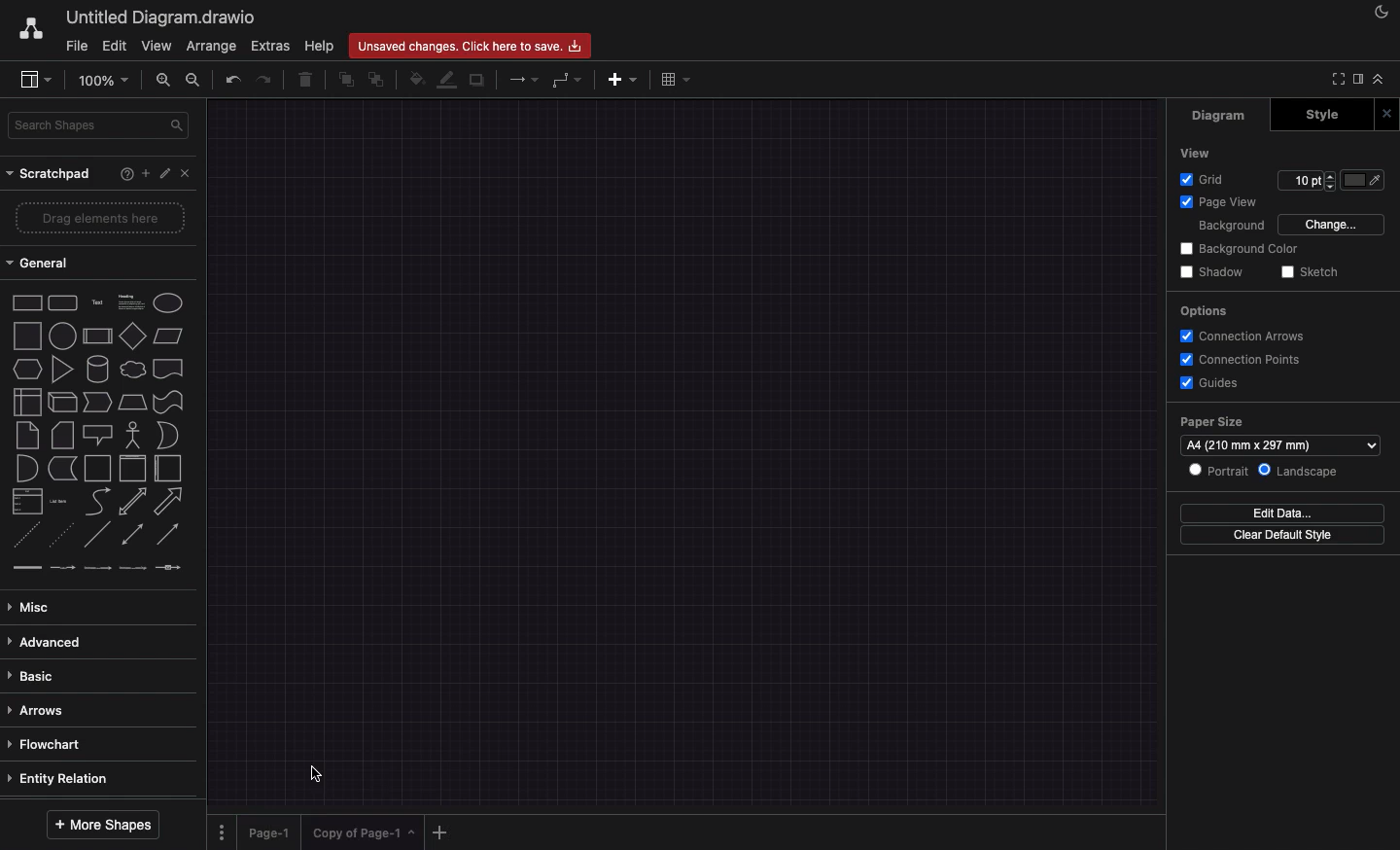 The image size is (1400, 850). What do you see at coordinates (132, 436) in the screenshot?
I see `actor` at bounding box center [132, 436].